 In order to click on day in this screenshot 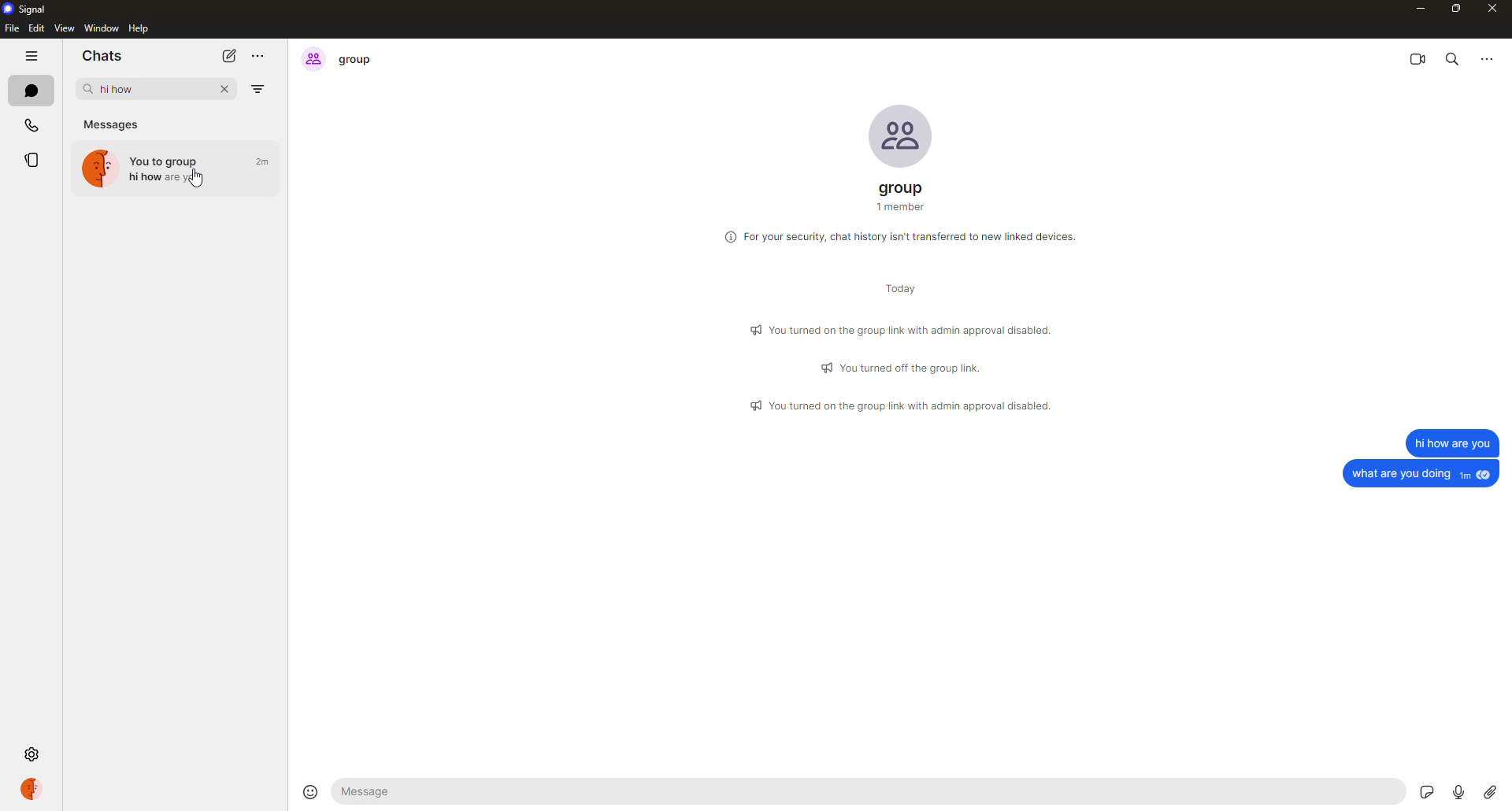, I will do `click(893, 291)`.